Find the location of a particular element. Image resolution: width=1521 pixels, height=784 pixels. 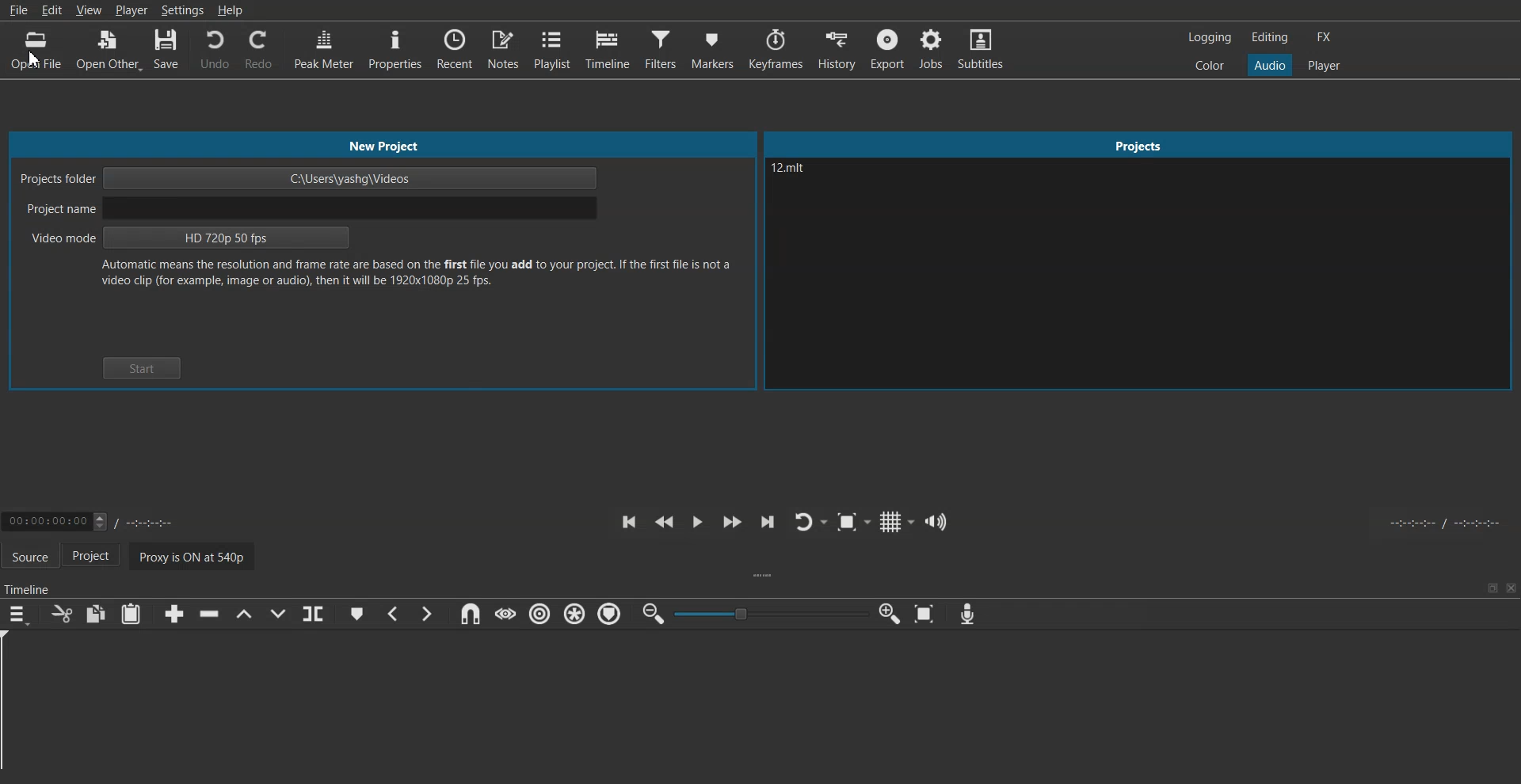

Open File is located at coordinates (37, 48).